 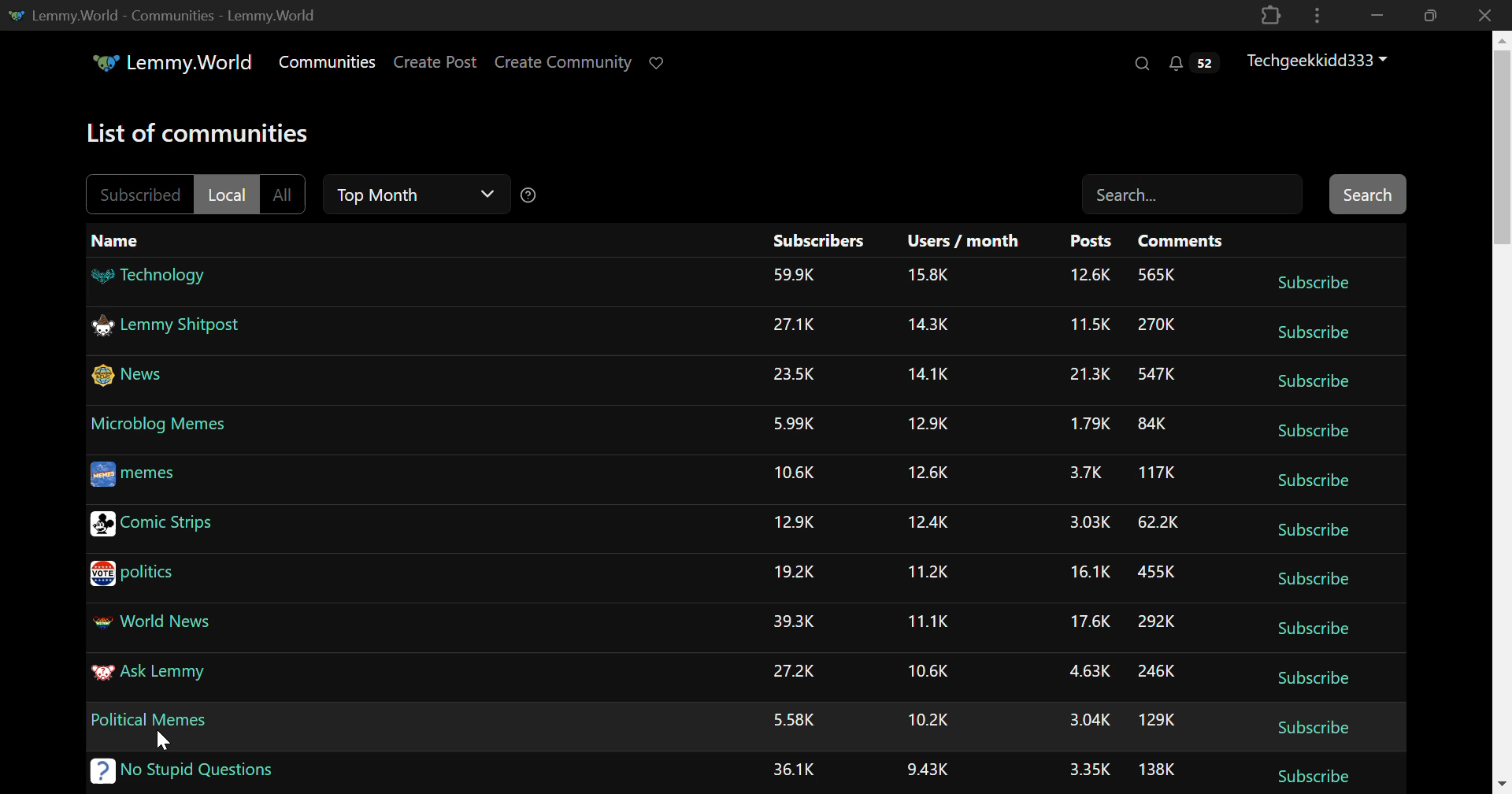 What do you see at coordinates (1158, 276) in the screenshot?
I see `Amount` at bounding box center [1158, 276].